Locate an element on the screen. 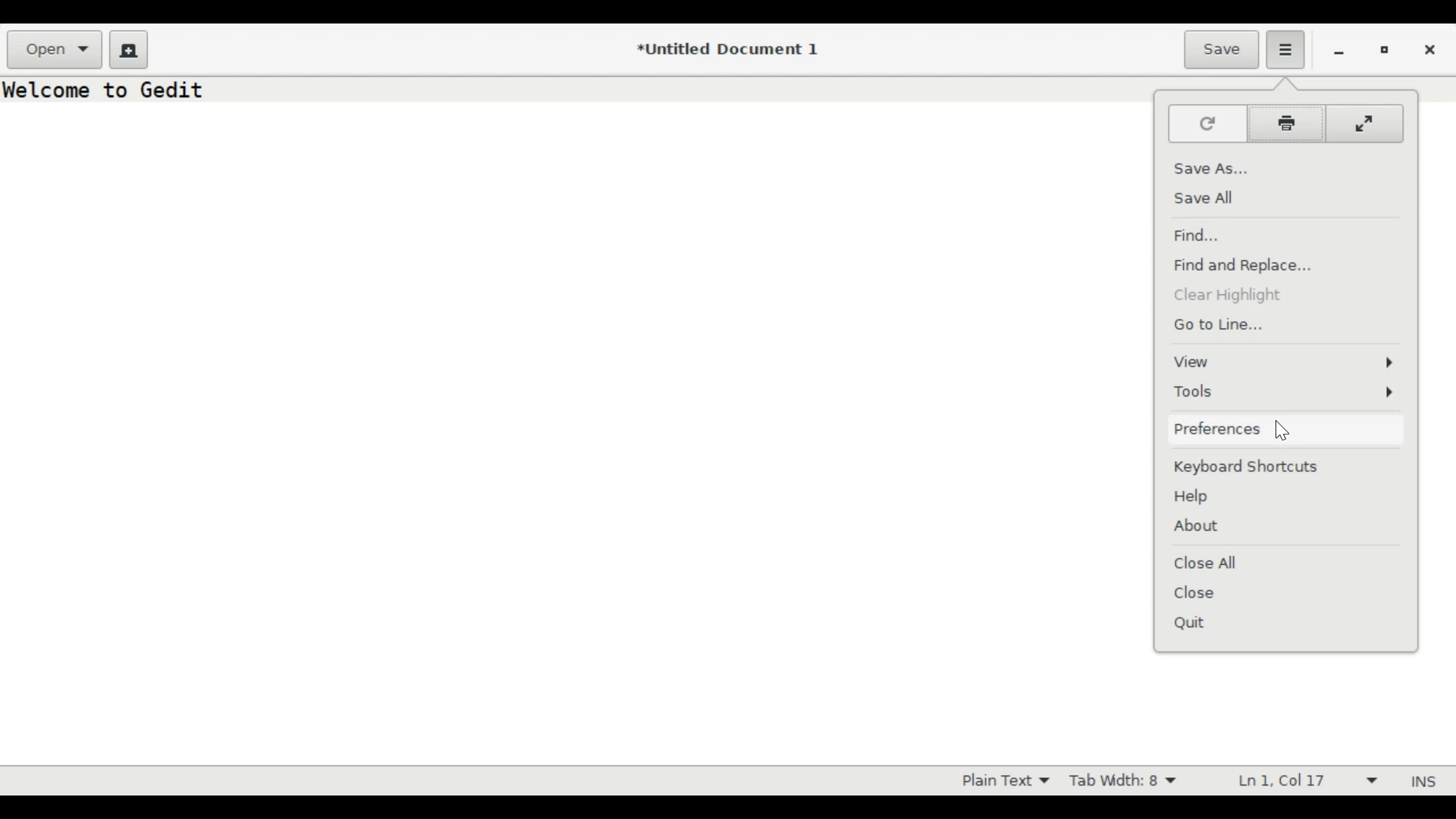  Go to Line is located at coordinates (1220, 325).